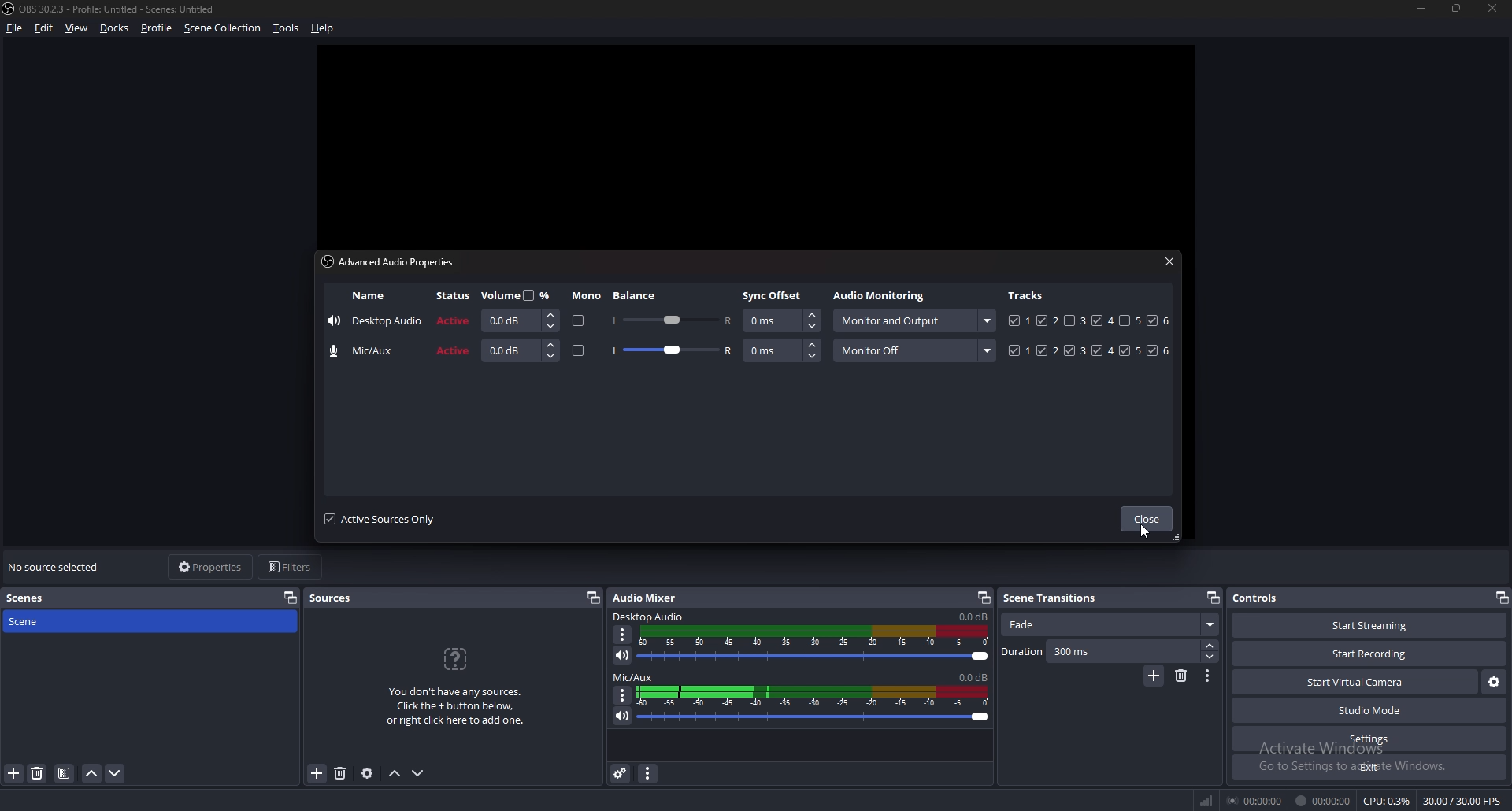 The width and height of the screenshot is (1512, 811). I want to click on mono, so click(576, 321).